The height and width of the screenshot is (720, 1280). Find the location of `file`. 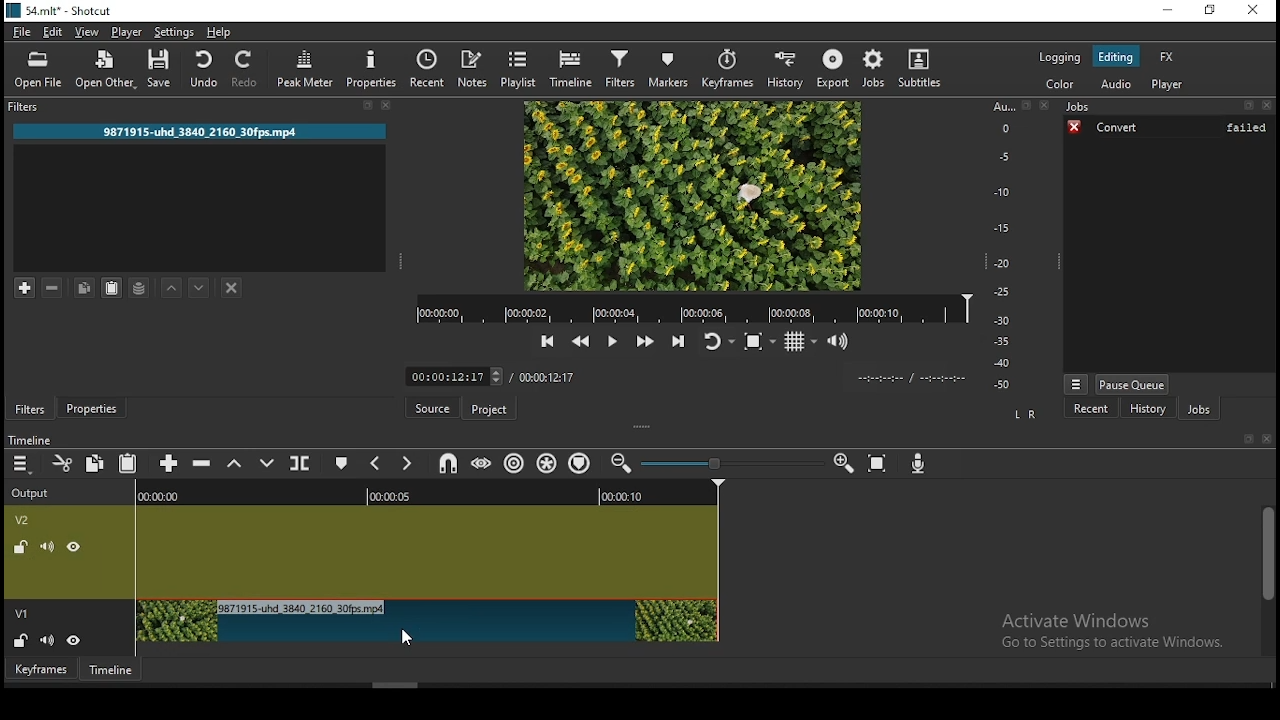

file is located at coordinates (24, 33).